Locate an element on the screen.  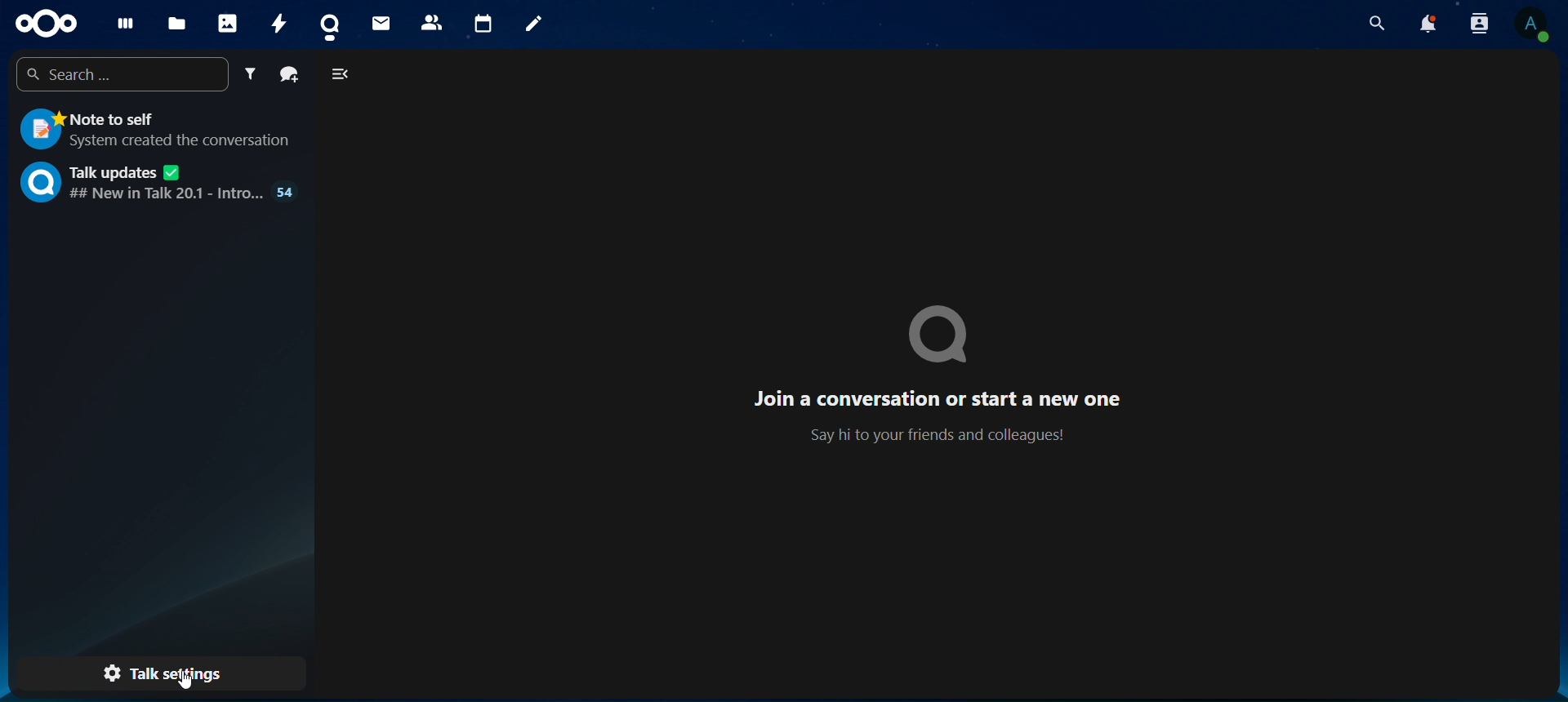
mail is located at coordinates (379, 21).